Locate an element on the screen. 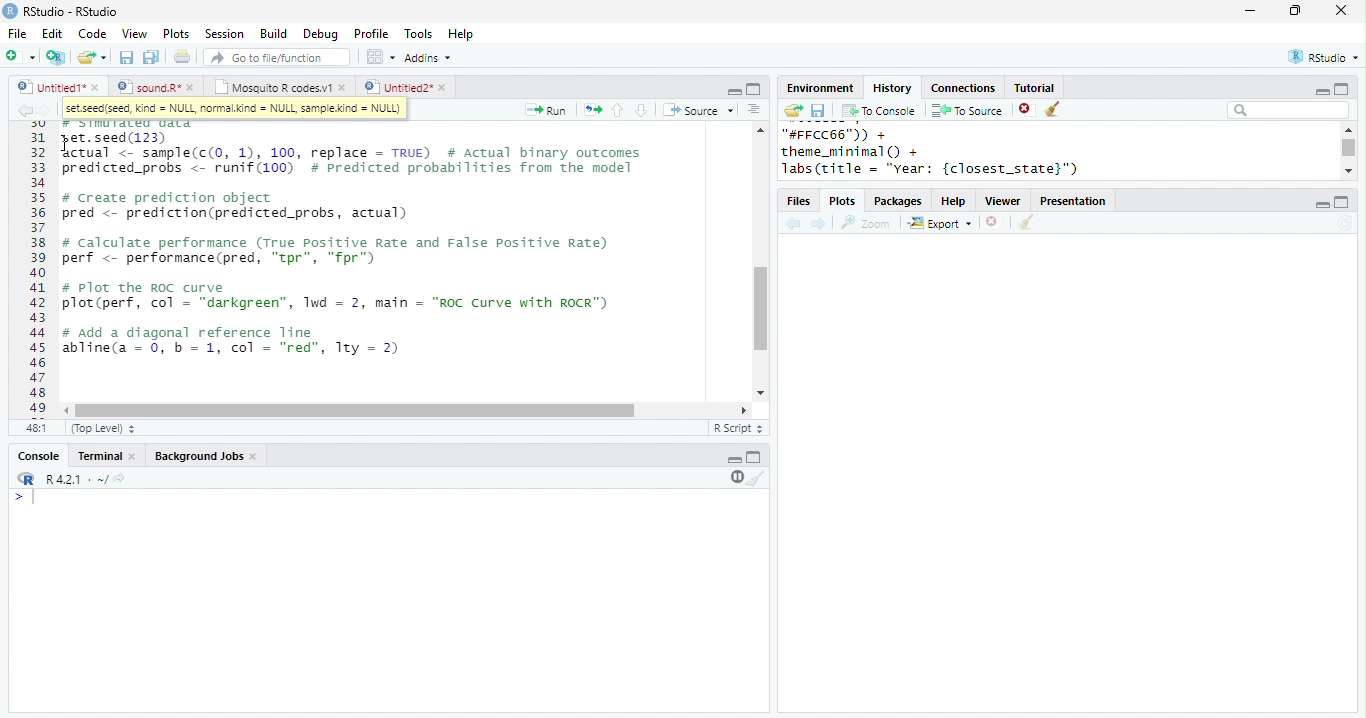  Source is located at coordinates (700, 110).